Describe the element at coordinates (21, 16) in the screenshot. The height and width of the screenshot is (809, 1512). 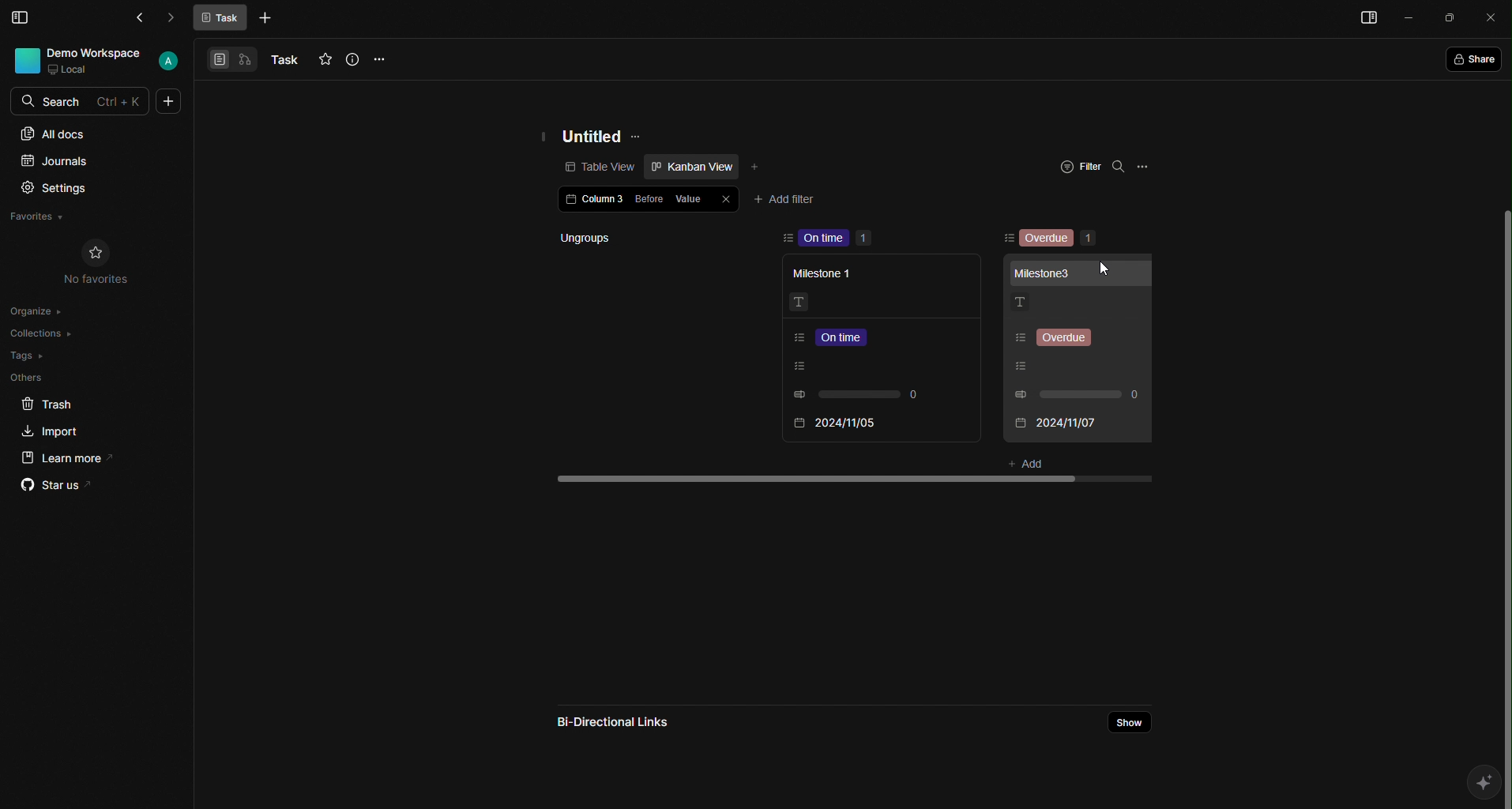
I see `Menu Bar` at that location.